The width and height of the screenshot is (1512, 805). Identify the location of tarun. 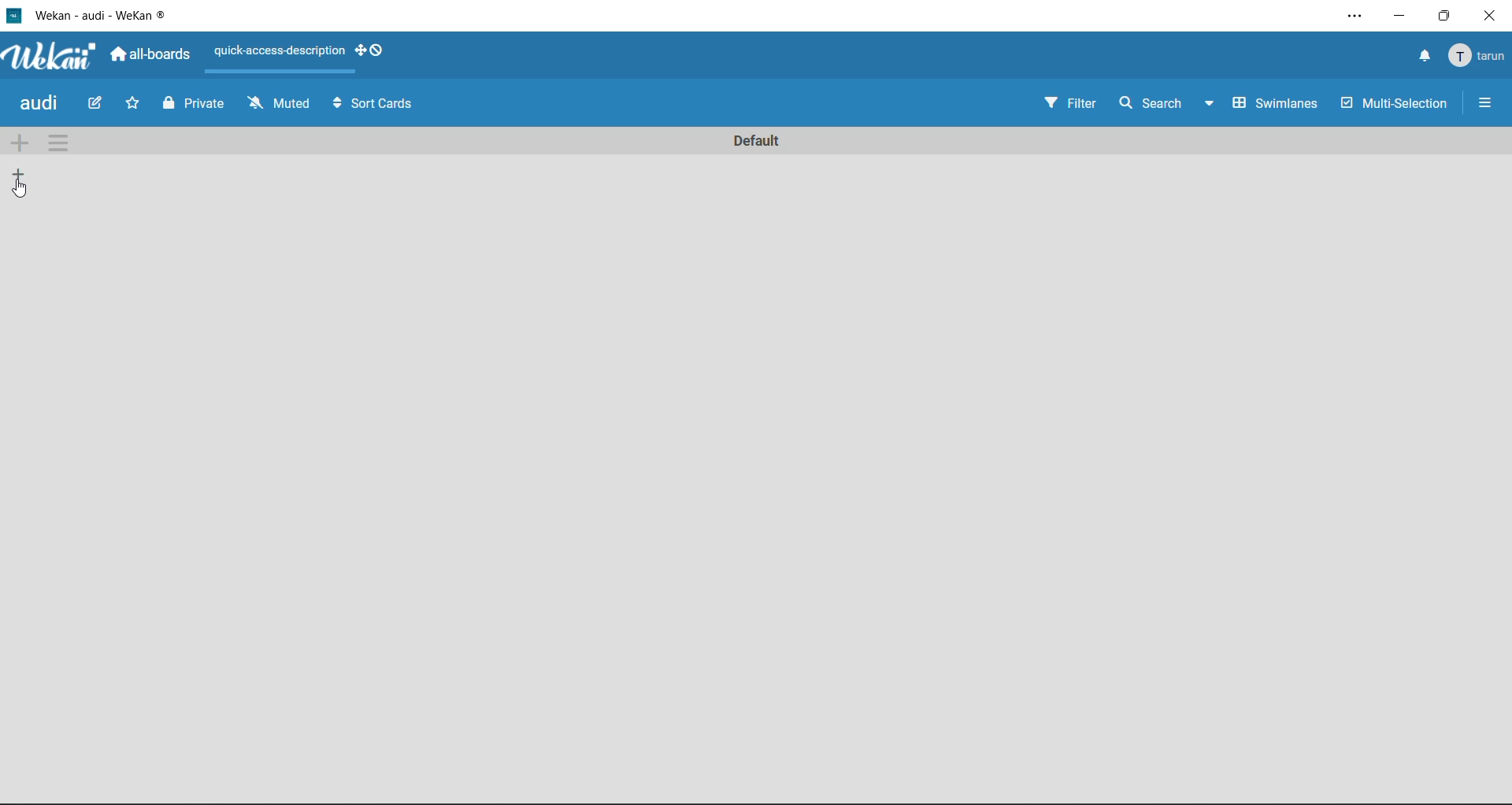
(1479, 55).